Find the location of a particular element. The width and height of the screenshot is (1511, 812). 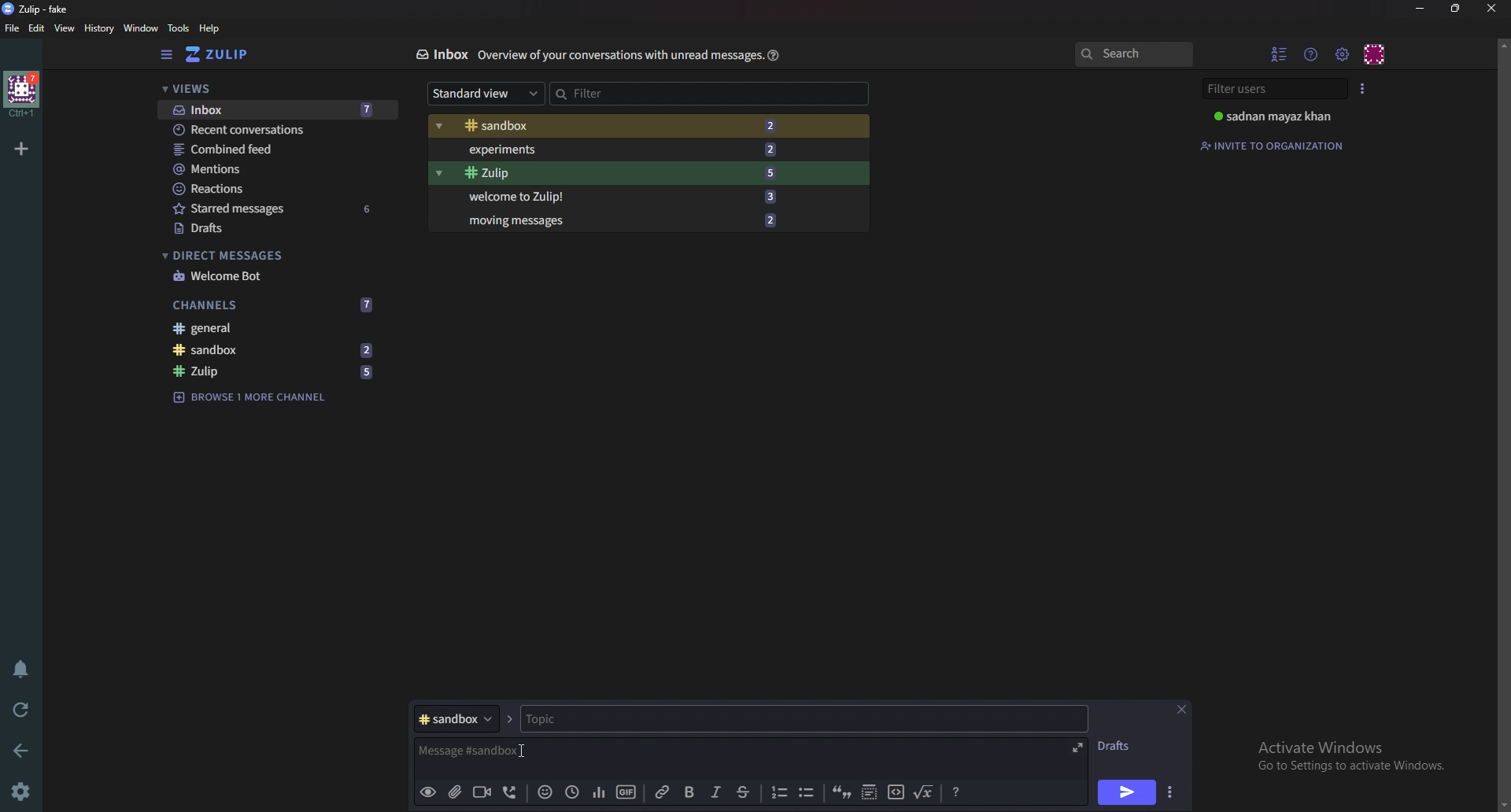

Info is located at coordinates (616, 56).